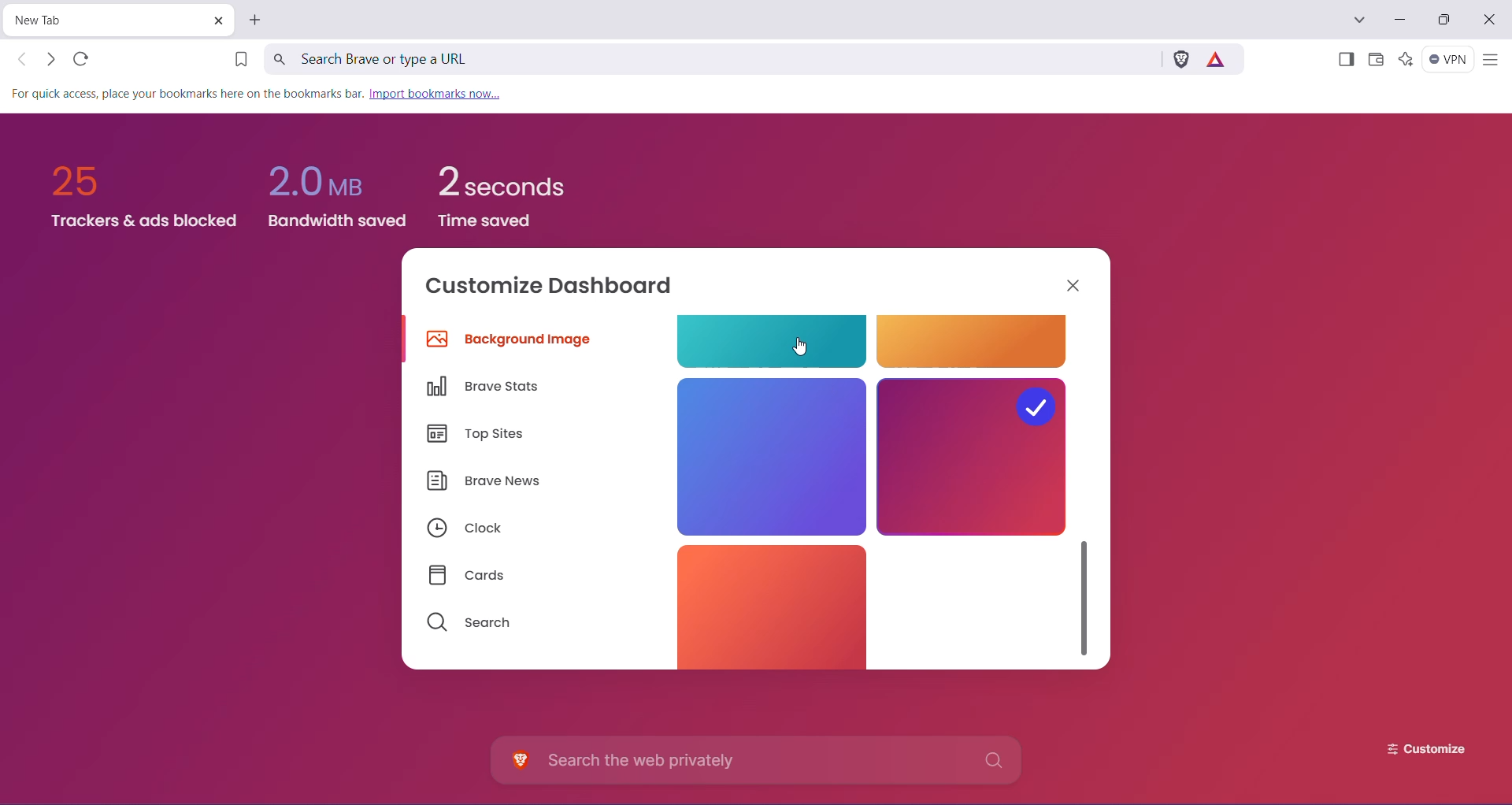 Image resolution: width=1512 pixels, height=805 pixels. What do you see at coordinates (1180, 58) in the screenshot?
I see `Brave Shields` at bounding box center [1180, 58].